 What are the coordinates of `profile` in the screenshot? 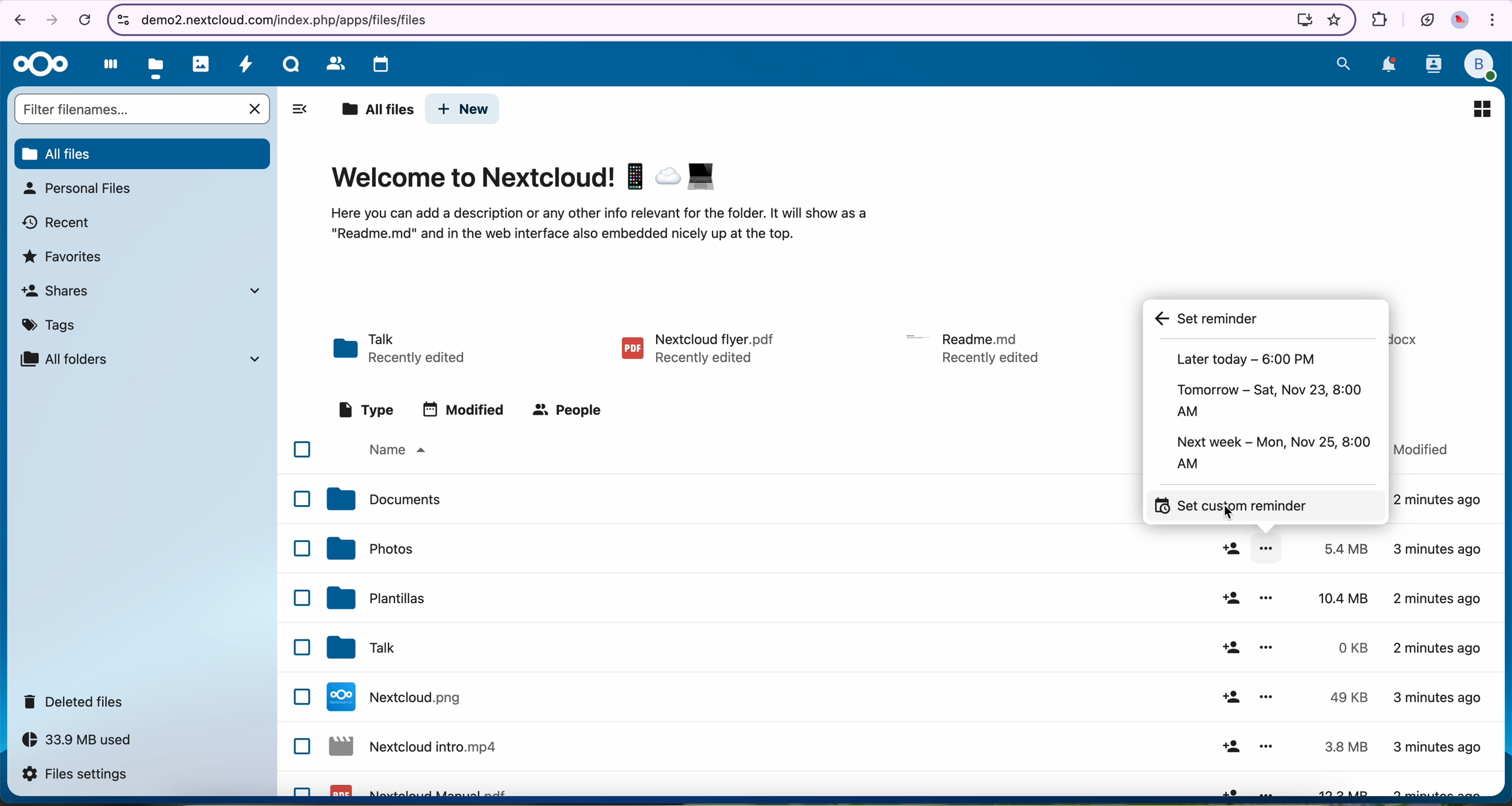 It's located at (1483, 63).